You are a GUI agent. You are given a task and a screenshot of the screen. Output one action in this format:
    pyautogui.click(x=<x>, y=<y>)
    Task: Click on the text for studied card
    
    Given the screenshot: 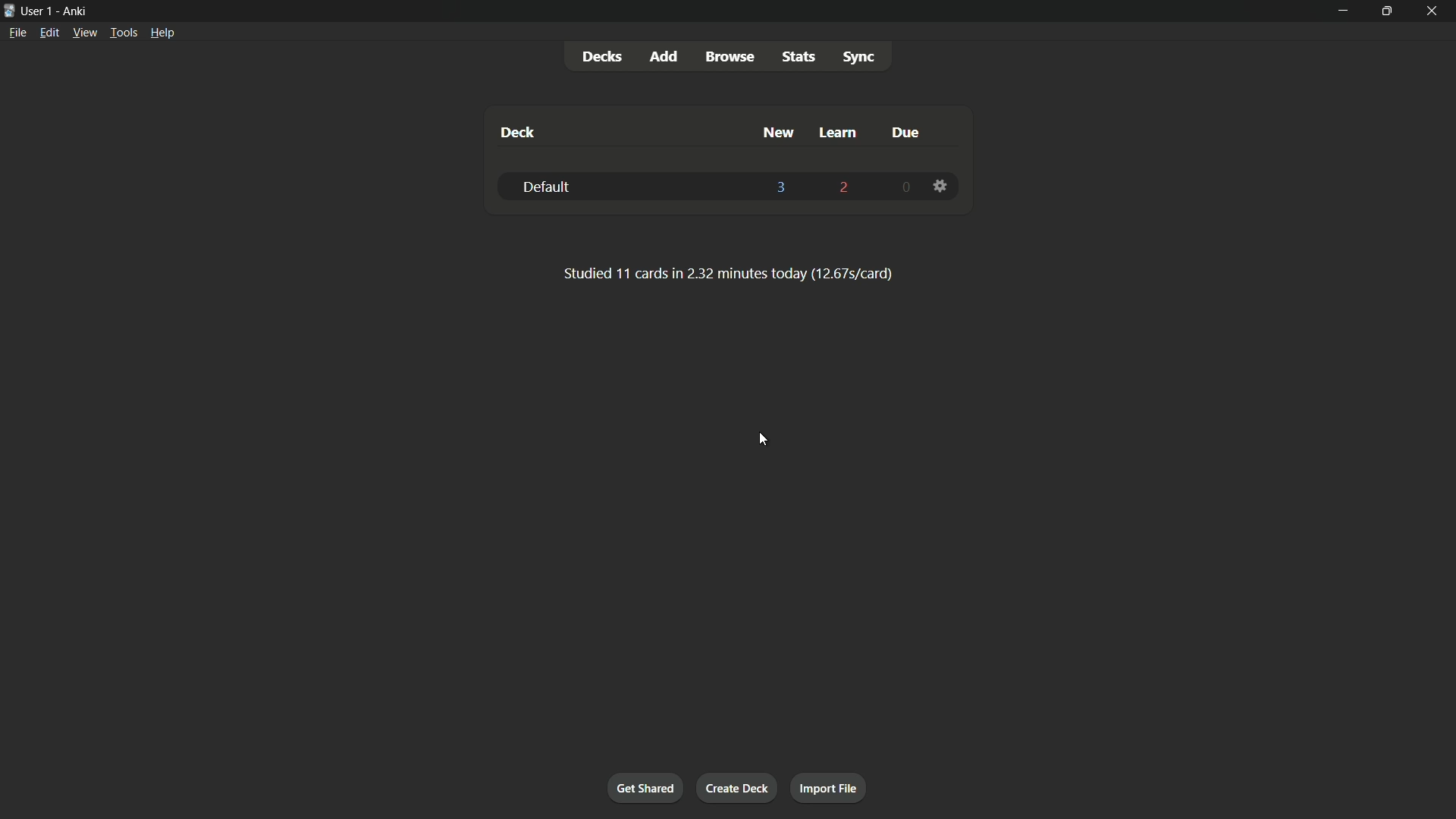 What is the action you would take?
    pyautogui.click(x=726, y=272)
    